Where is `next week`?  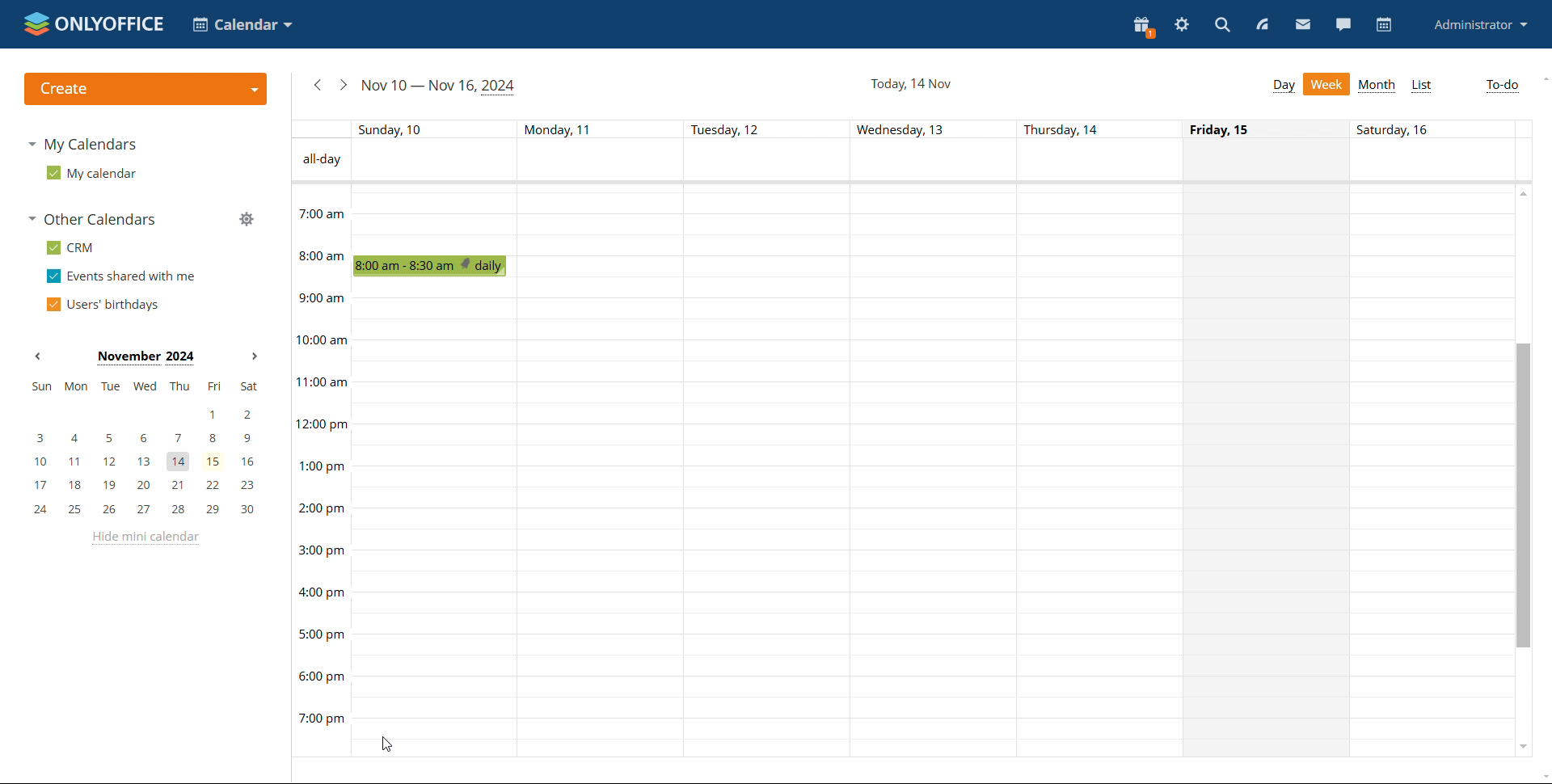 next week is located at coordinates (343, 85).